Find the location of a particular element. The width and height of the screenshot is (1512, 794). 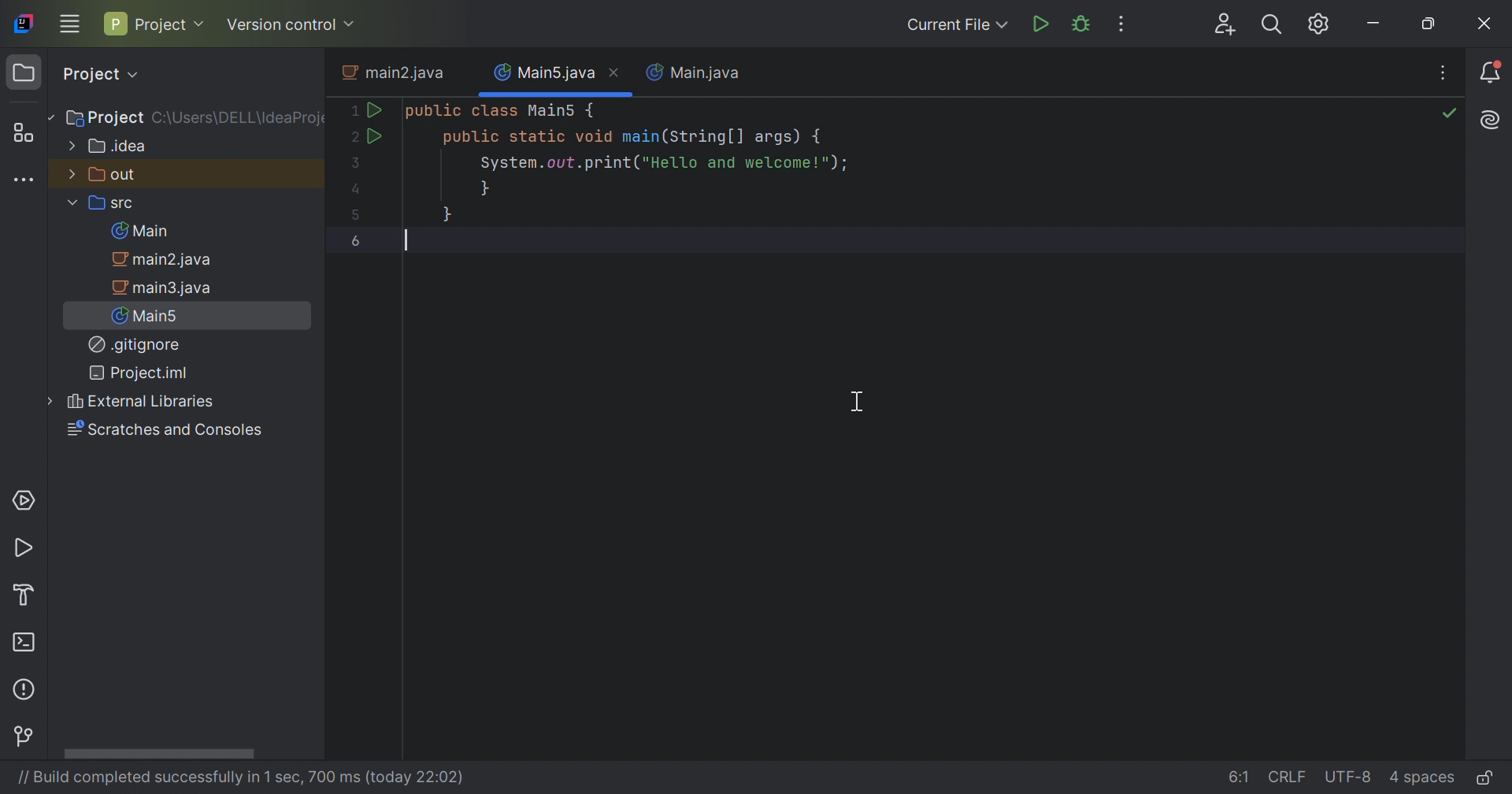

Project is located at coordinates (103, 119).